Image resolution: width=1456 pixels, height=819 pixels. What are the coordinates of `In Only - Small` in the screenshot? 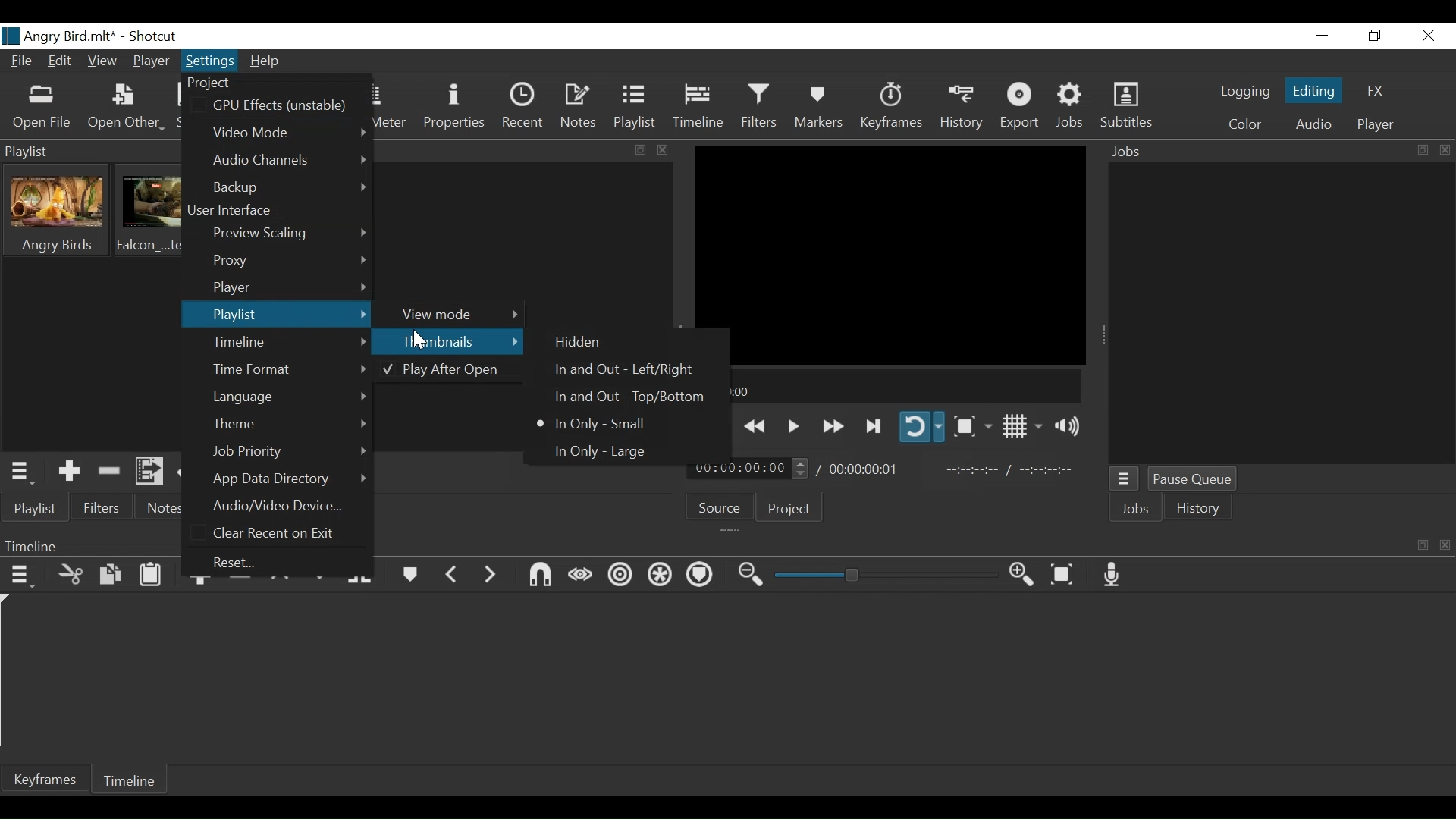 It's located at (597, 423).